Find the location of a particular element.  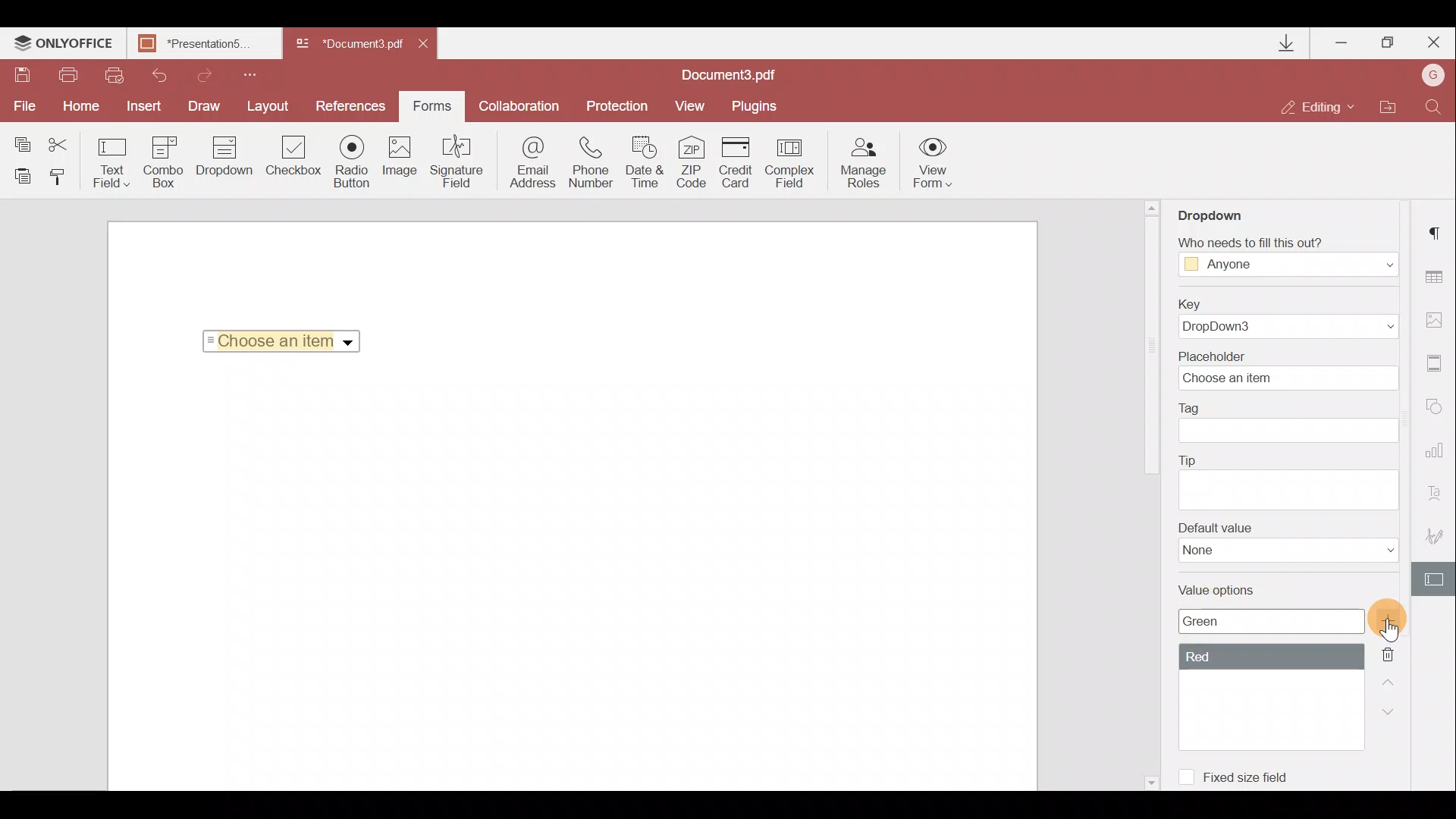

Customize quick access toolbar is located at coordinates (256, 74).